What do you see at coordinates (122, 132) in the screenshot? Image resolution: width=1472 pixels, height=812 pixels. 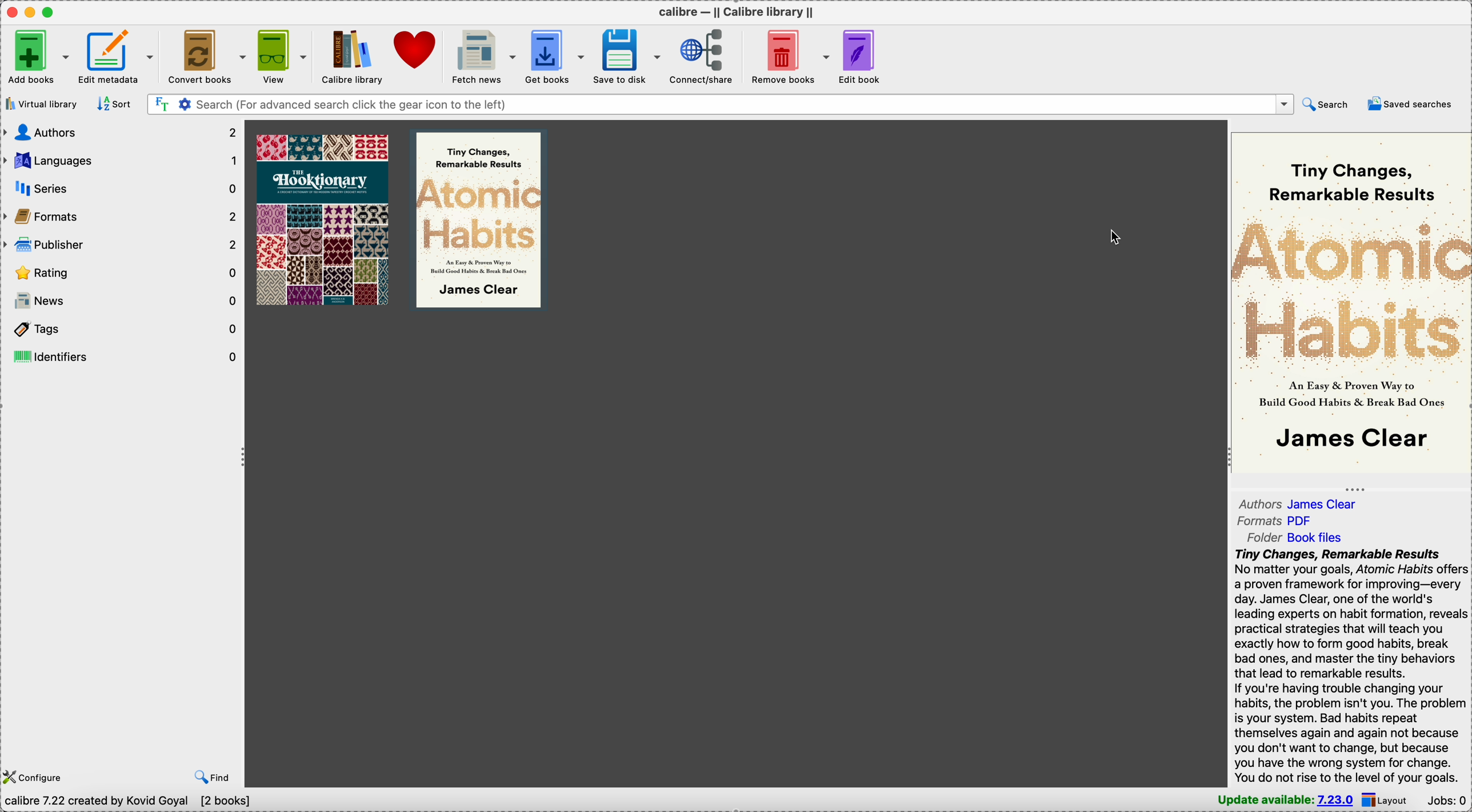 I see `authors` at bounding box center [122, 132].